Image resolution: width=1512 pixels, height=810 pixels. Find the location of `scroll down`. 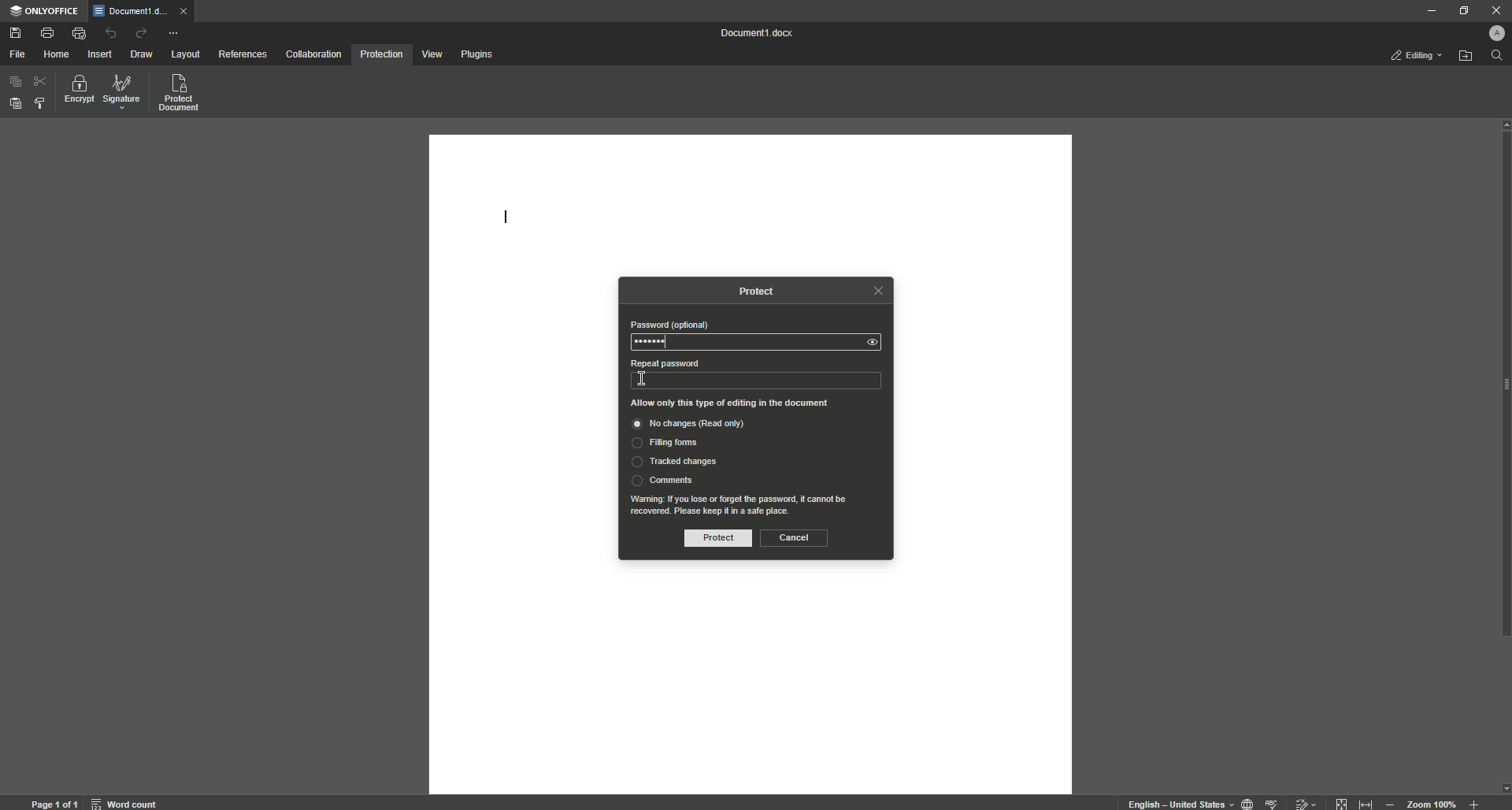

scroll down is located at coordinates (1503, 788).